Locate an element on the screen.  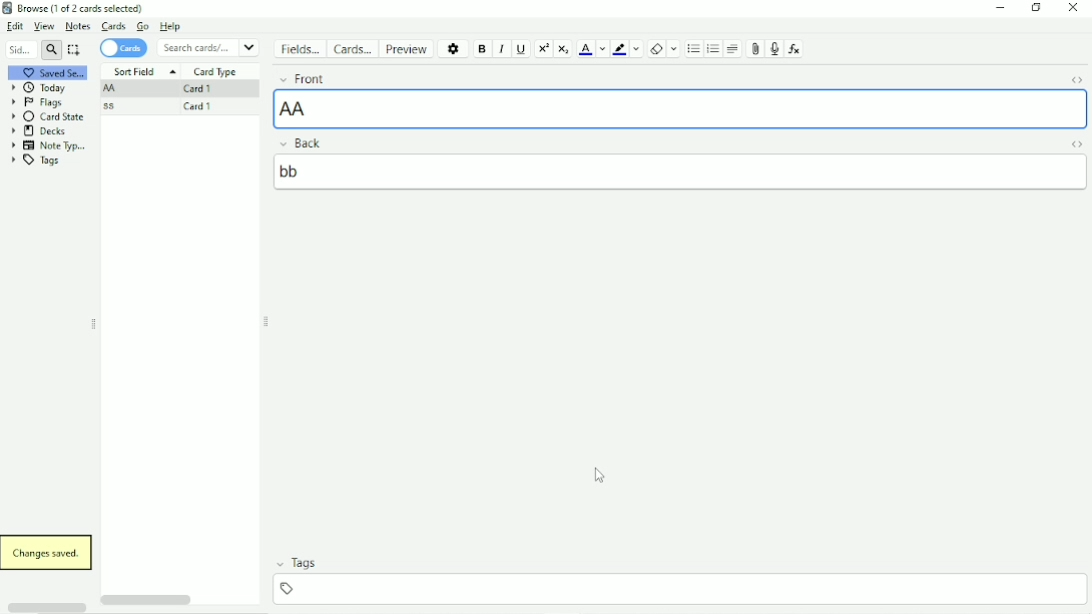
Toggle HTML Editor is located at coordinates (1075, 79).